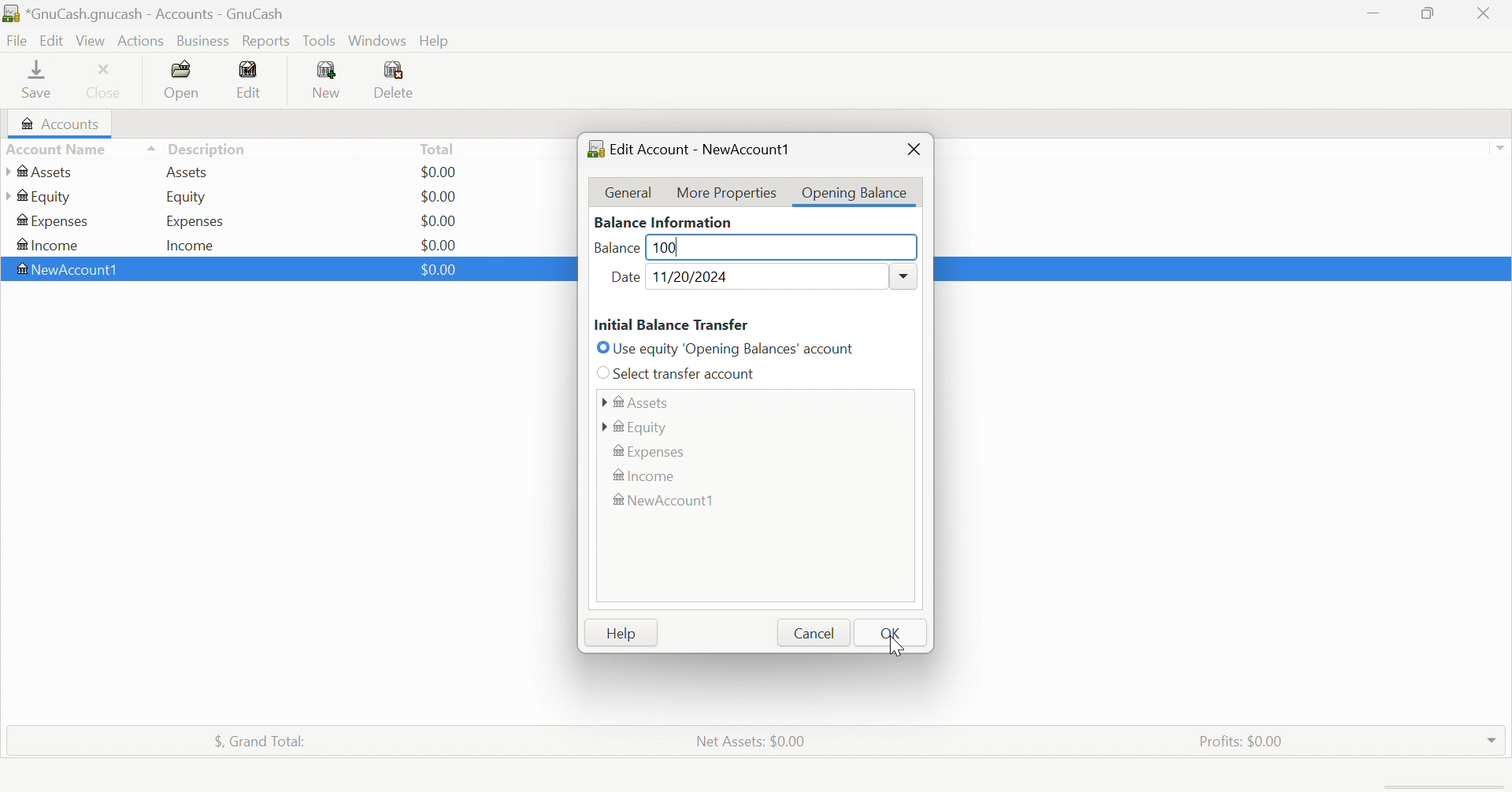 The width and height of the screenshot is (1512, 792). What do you see at coordinates (1430, 15) in the screenshot?
I see `Restore Down` at bounding box center [1430, 15].